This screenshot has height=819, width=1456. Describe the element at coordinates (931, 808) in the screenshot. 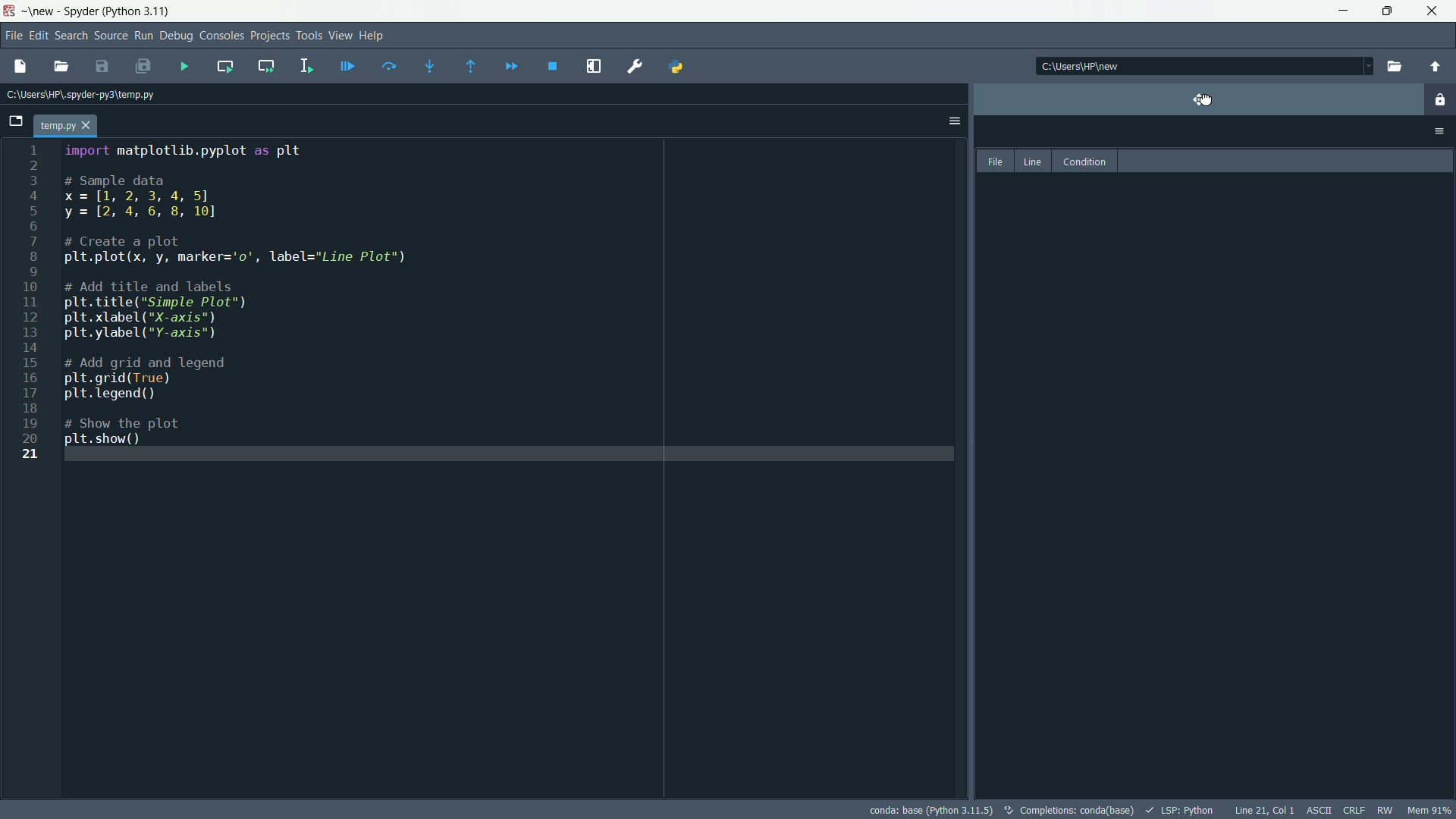

I see `conda: base (Python 3.11.5)` at that location.